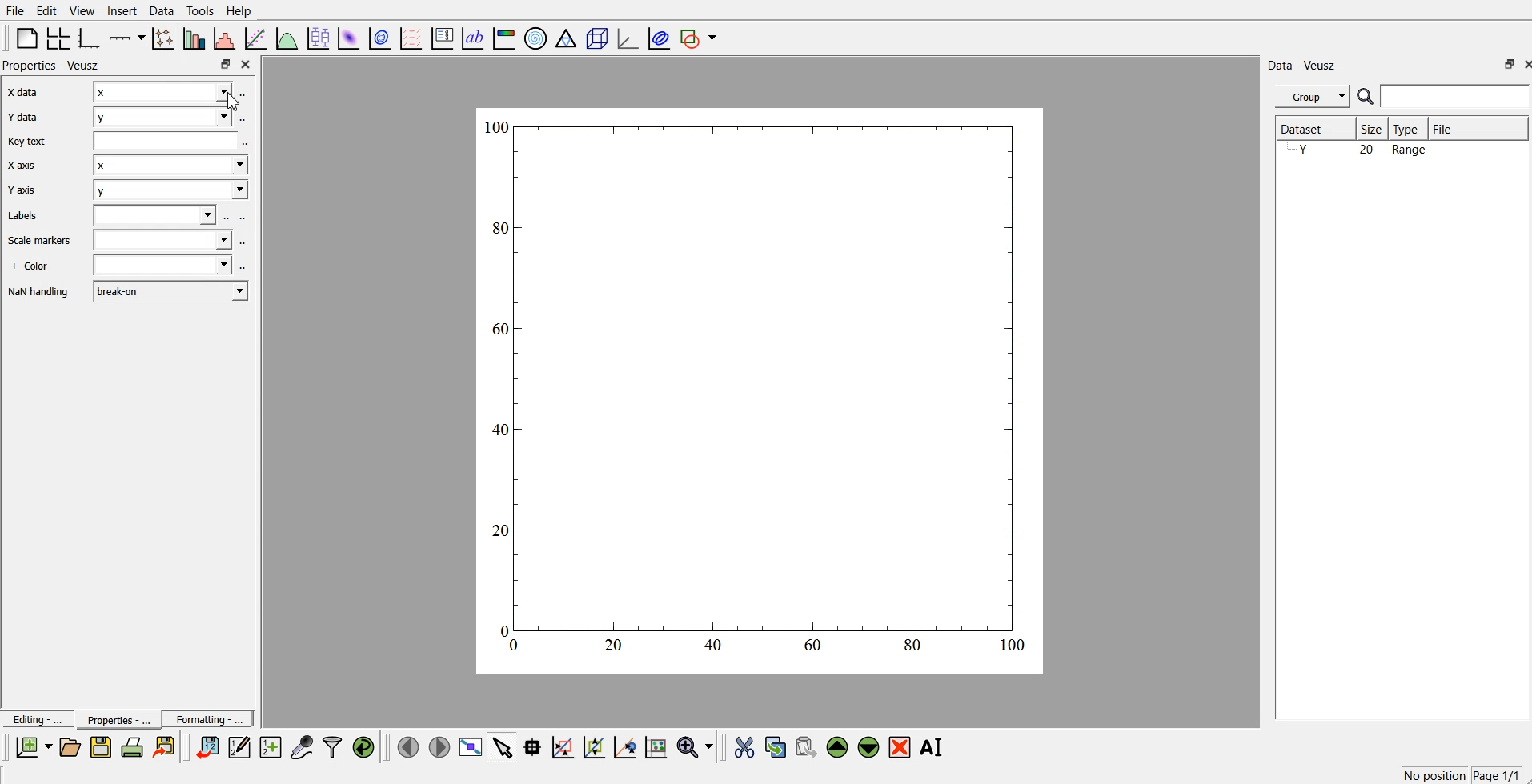  Describe the element at coordinates (161, 94) in the screenshot. I see `x` at that location.